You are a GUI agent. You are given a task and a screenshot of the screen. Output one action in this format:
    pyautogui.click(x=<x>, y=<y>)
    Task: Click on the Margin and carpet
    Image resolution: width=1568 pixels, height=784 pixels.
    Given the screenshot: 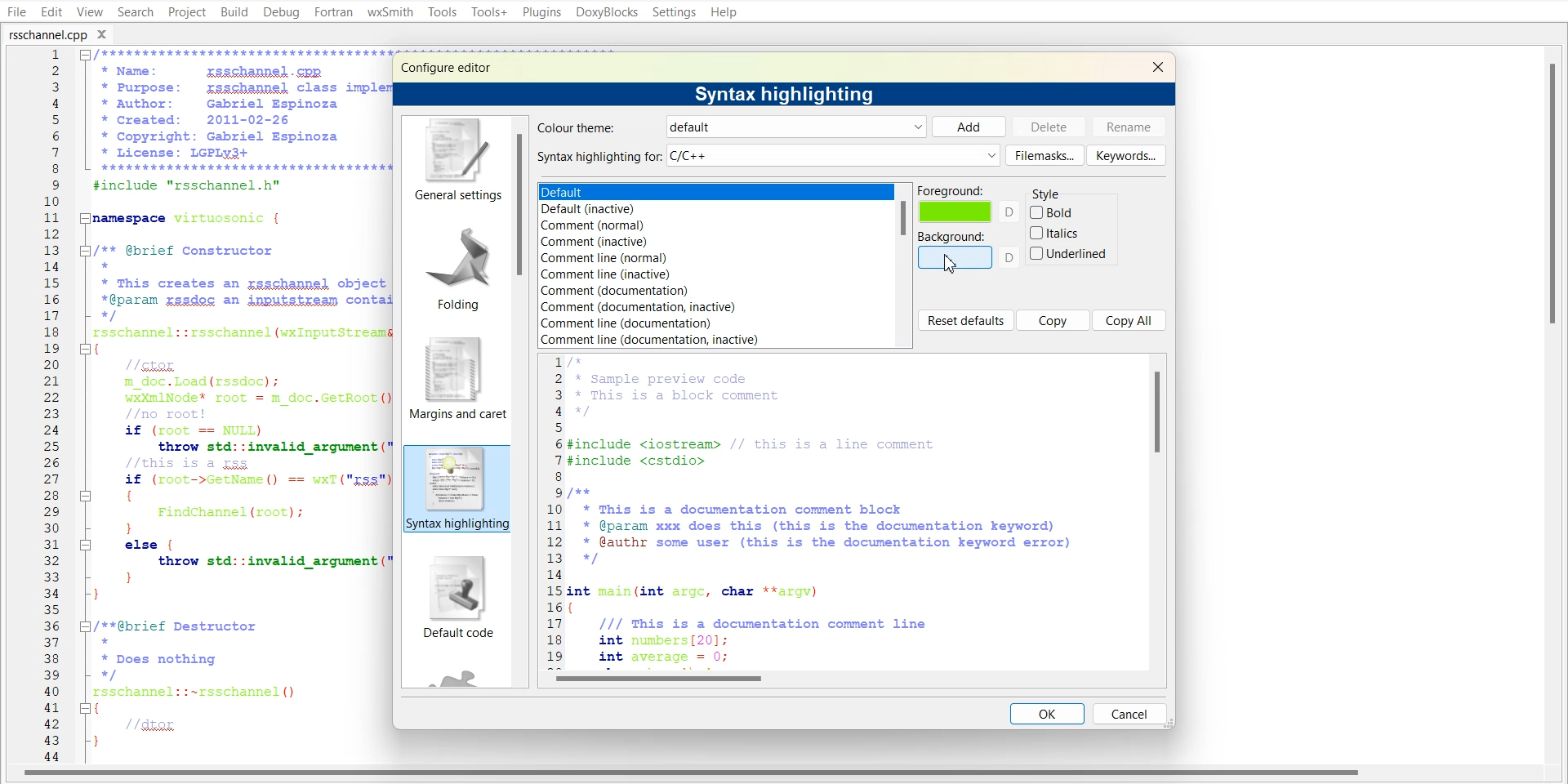 What is the action you would take?
    pyautogui.click(x=452, y=378)
    